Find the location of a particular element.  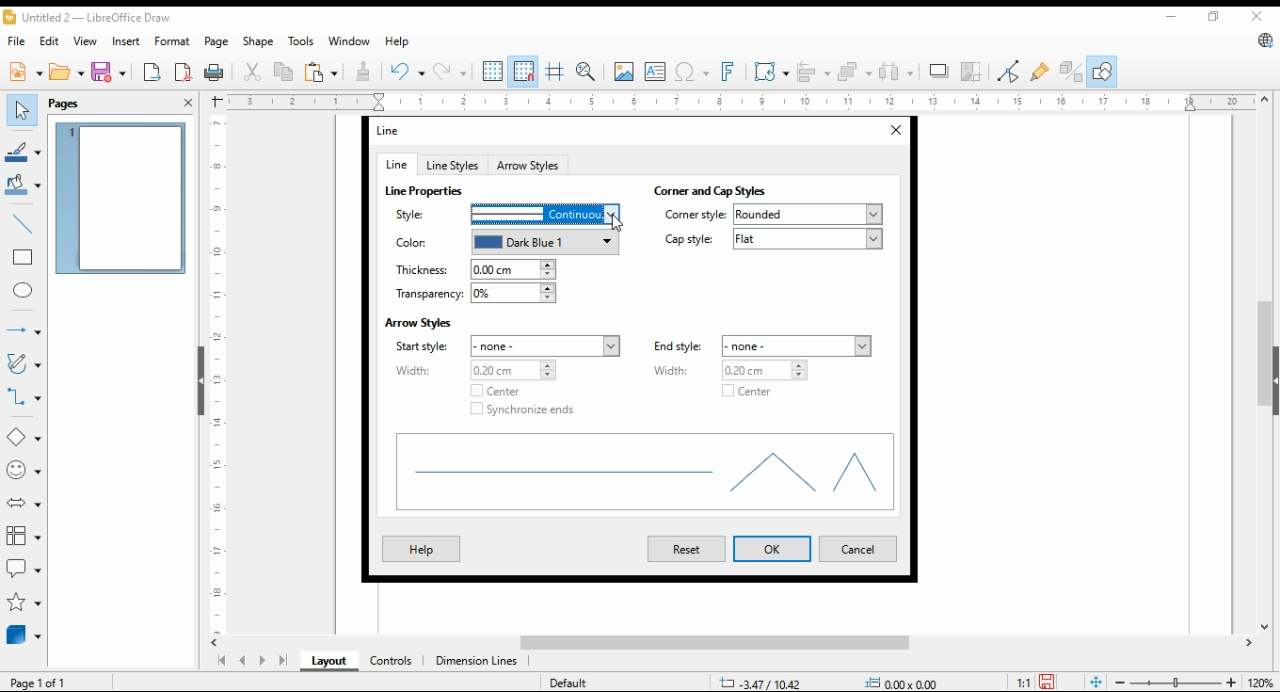

connectors is located at coordinates (24, 394).